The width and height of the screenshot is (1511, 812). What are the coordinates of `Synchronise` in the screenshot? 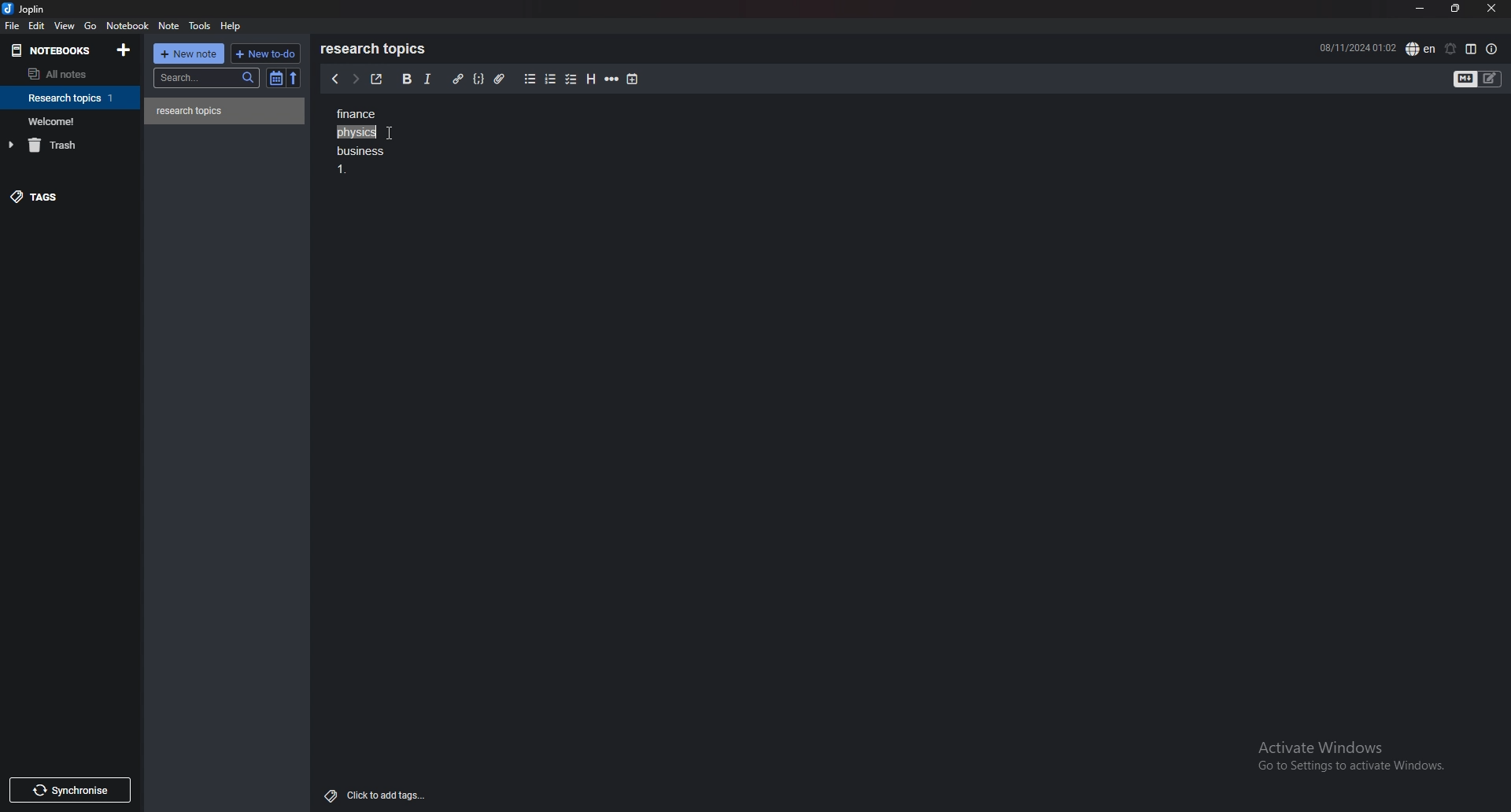 It's located at (73, 789).